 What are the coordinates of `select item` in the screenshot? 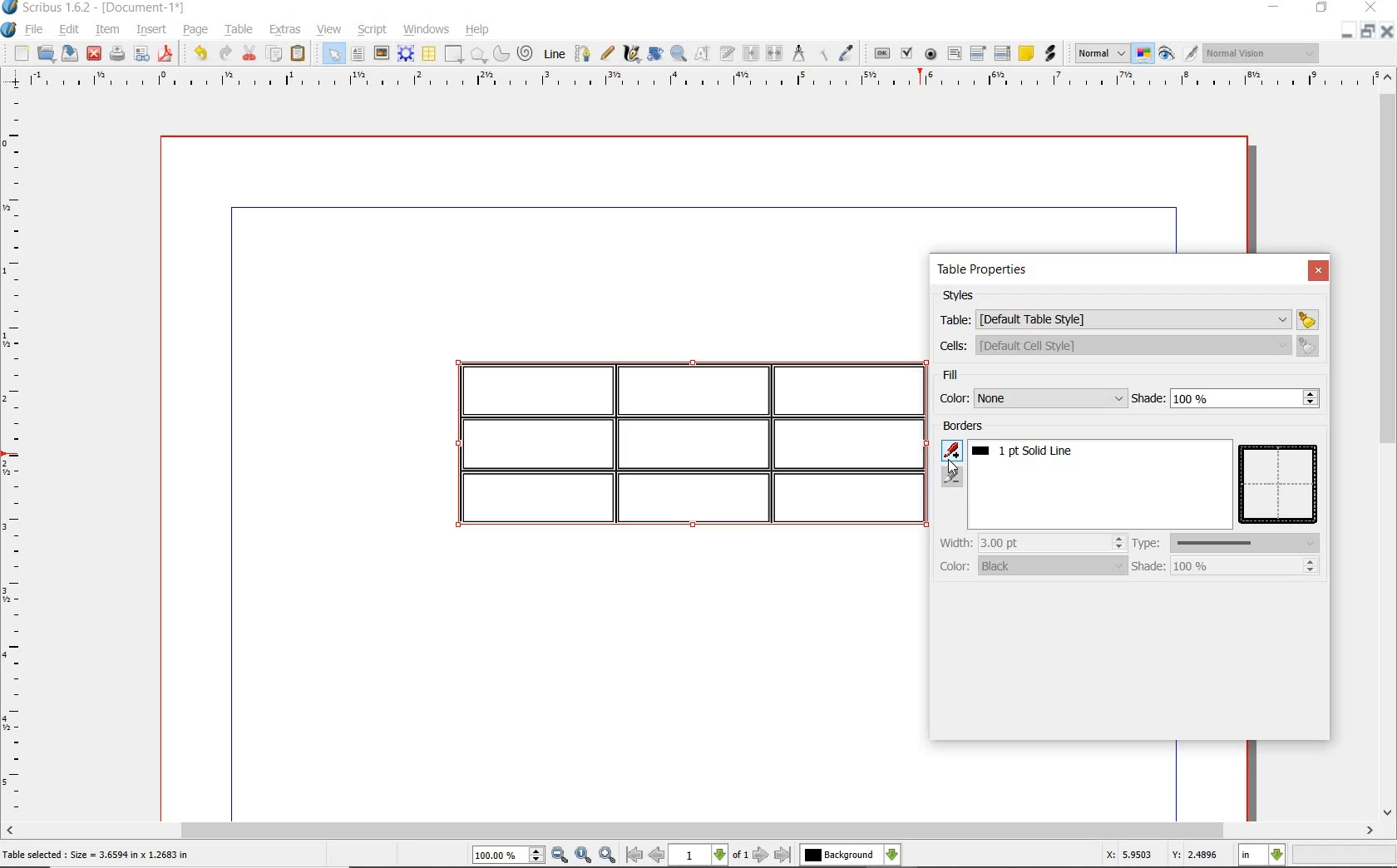 It's located at (332, 53).